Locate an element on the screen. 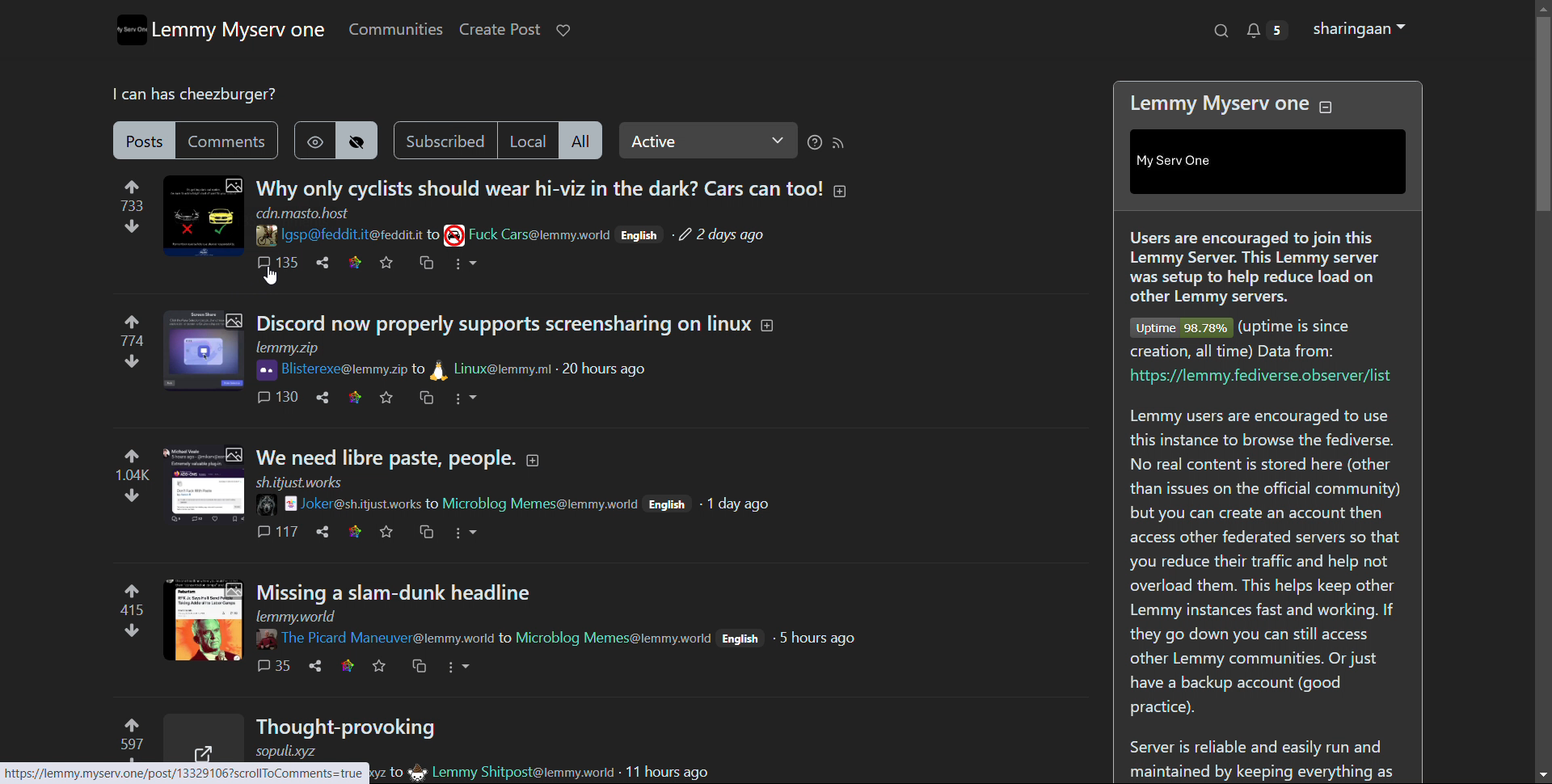  i {as Blisterexe@lemmy.zip to J Linux@lemmy.mi - 20 hours ago is located at coordinates (453, 369).